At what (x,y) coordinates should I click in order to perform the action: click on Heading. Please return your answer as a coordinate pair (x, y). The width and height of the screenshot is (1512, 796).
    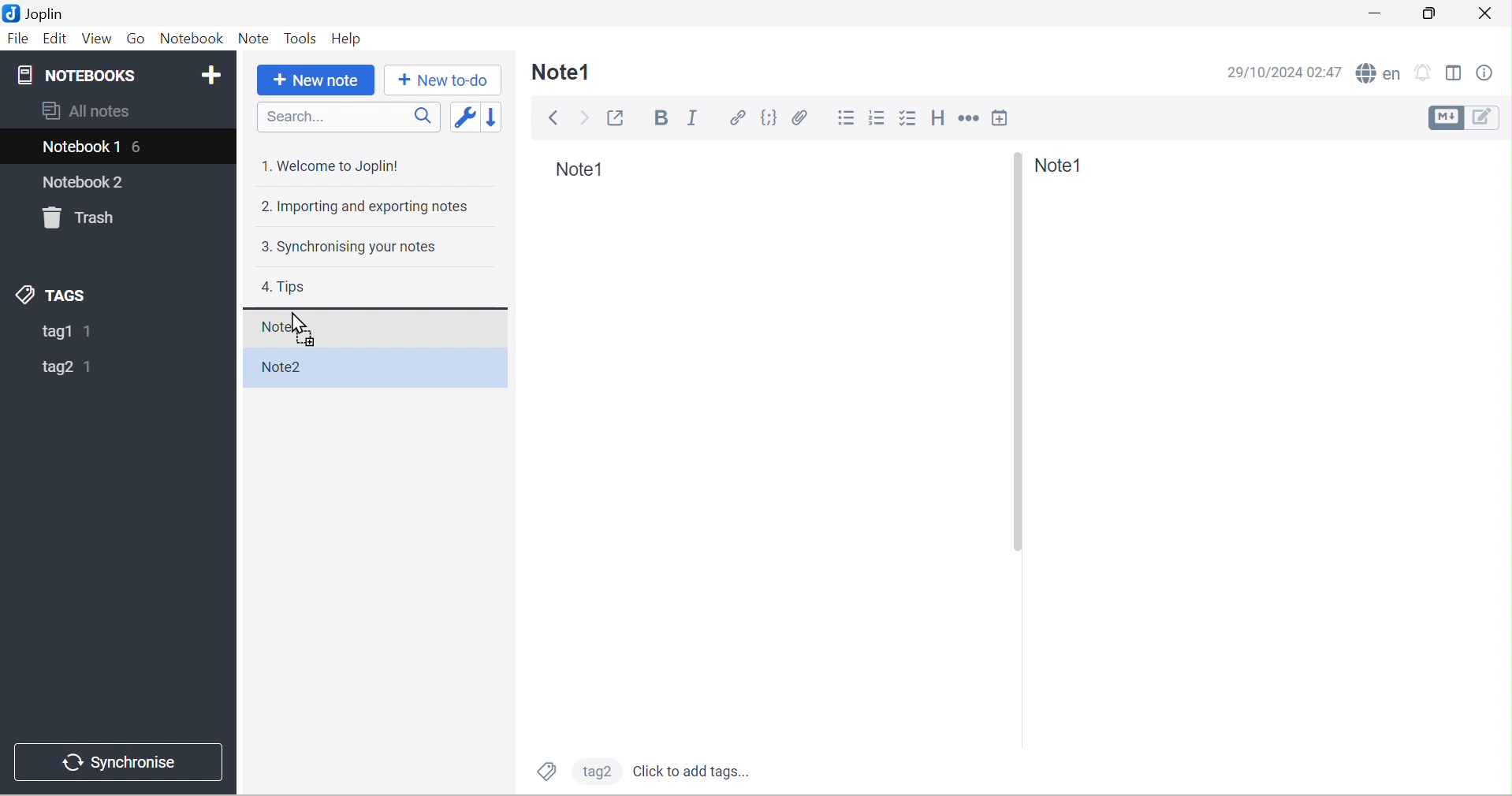
    Looking at the image, I should click on (940, 120).